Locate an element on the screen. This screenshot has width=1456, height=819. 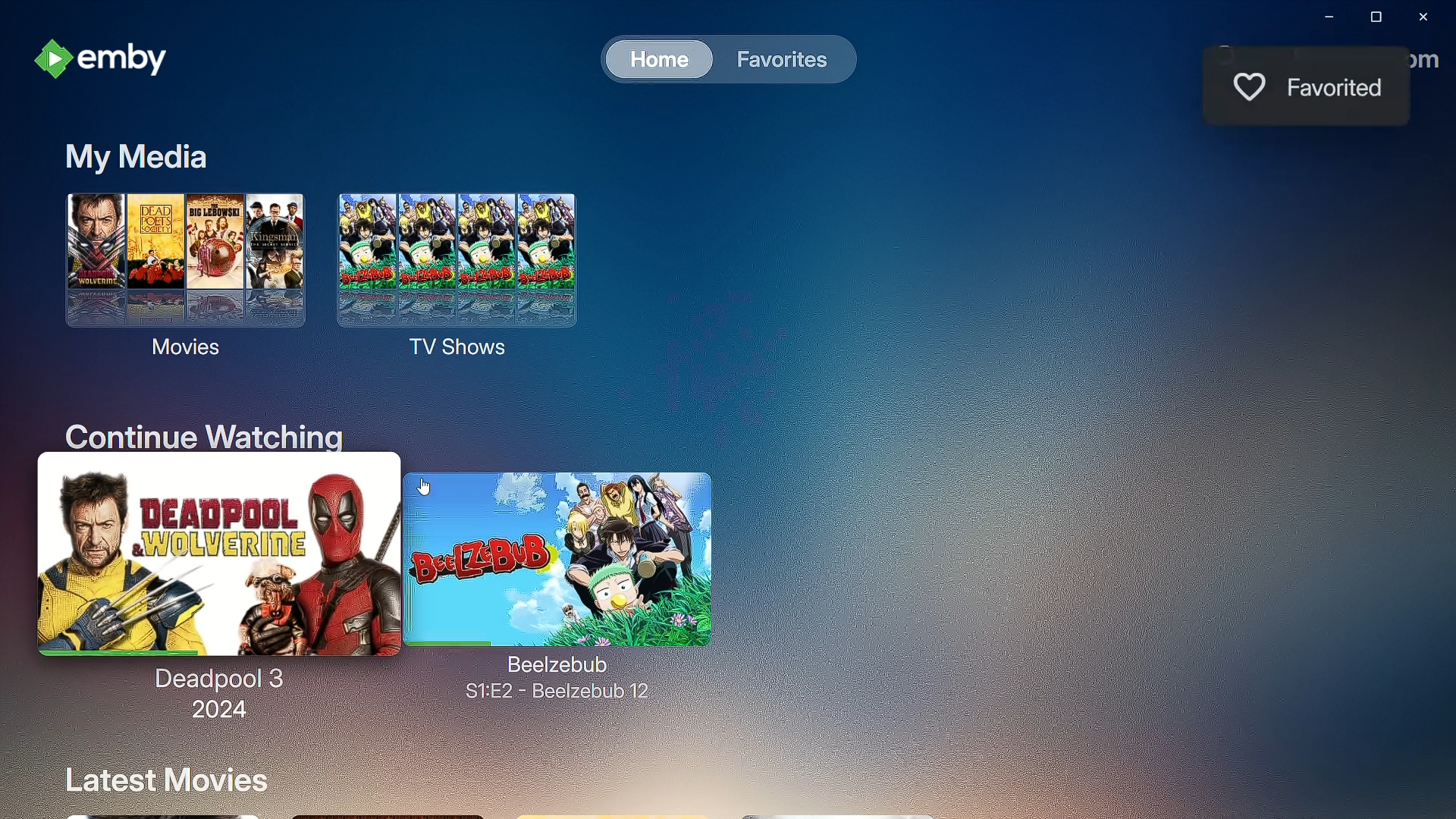
Movies is located at coordinates (173, 271).